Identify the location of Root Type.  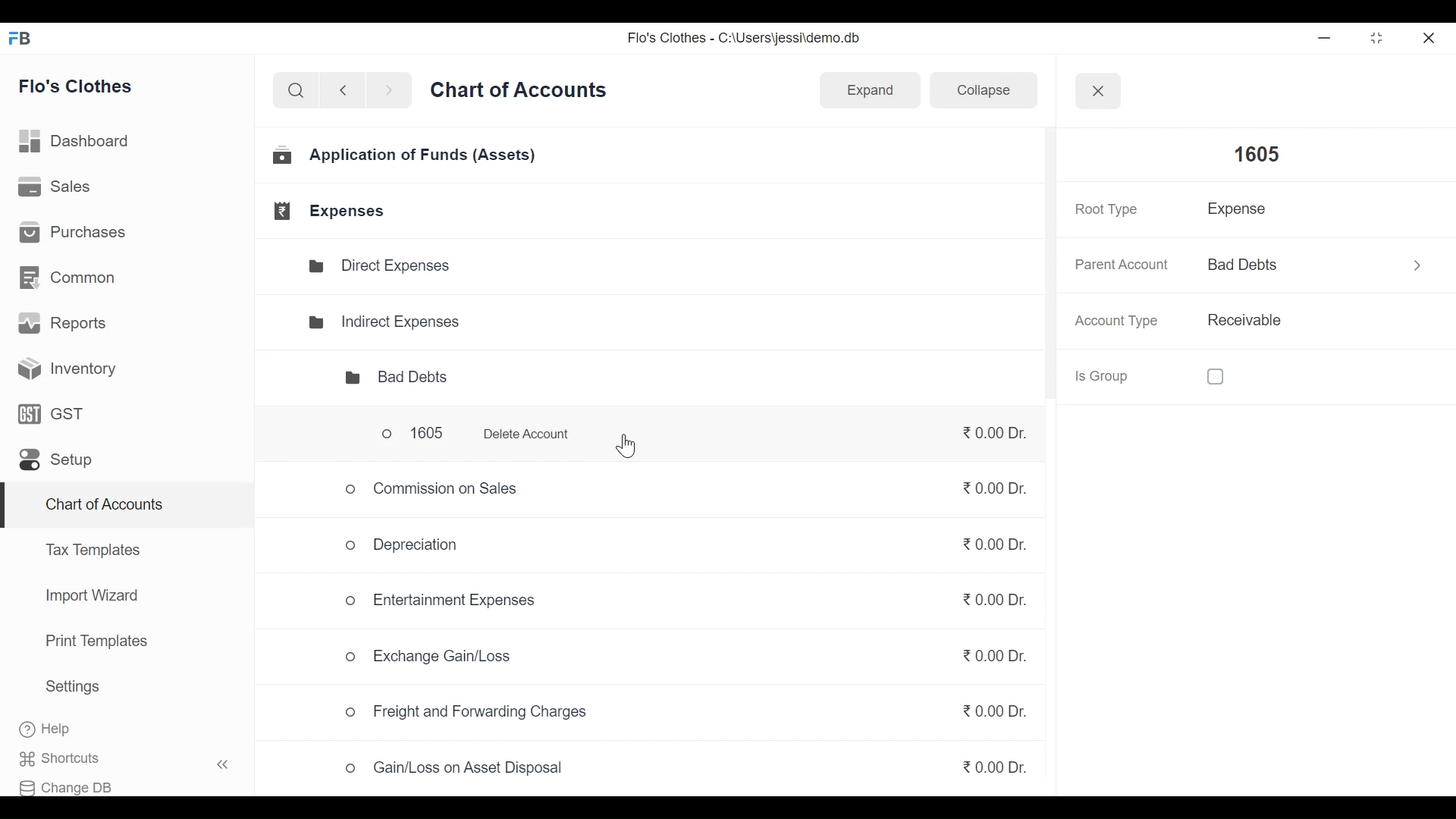
(1104, 209).